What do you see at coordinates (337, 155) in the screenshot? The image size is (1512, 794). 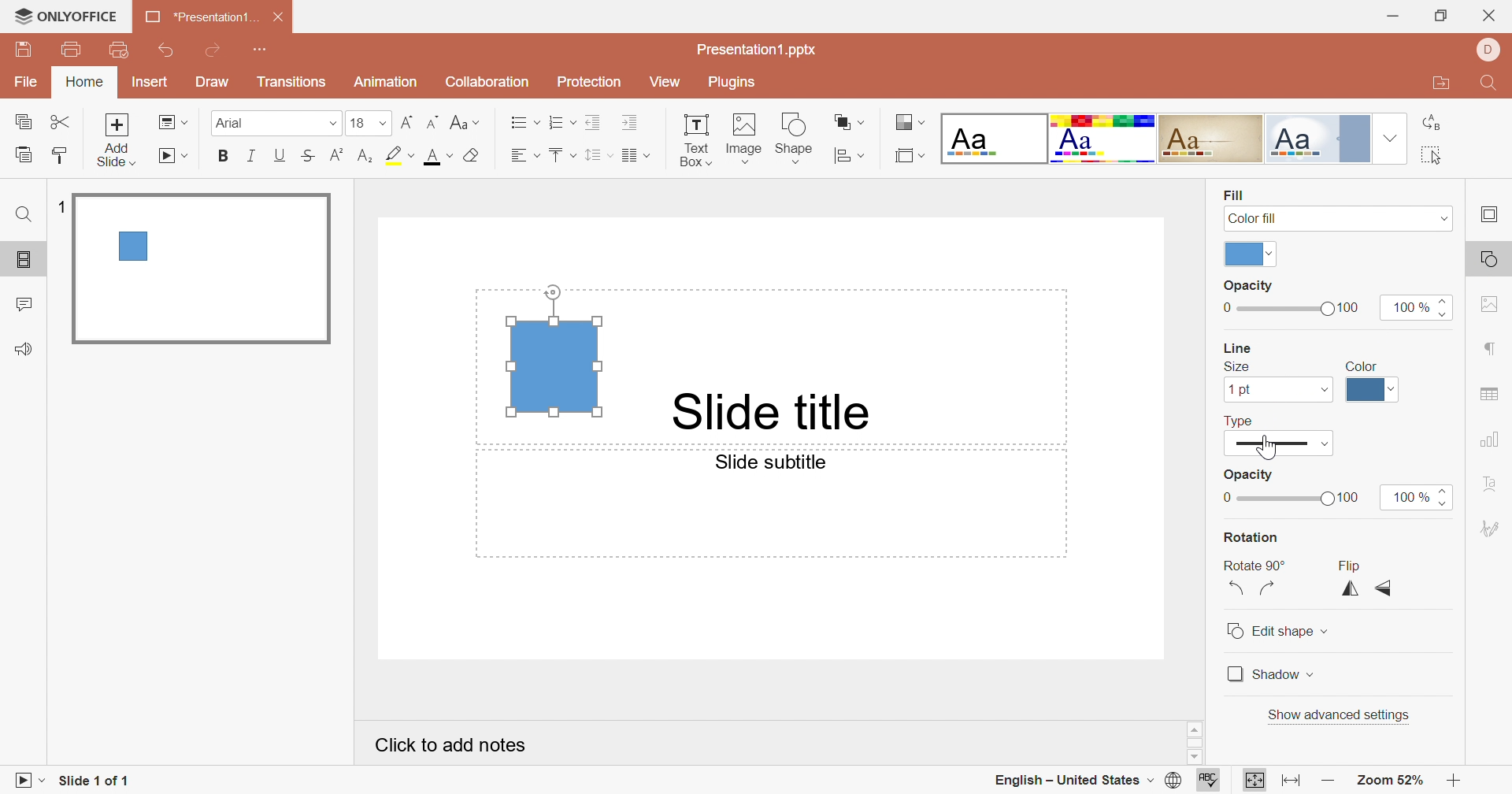 I see `Superscript` at bounding box center [337, 155].